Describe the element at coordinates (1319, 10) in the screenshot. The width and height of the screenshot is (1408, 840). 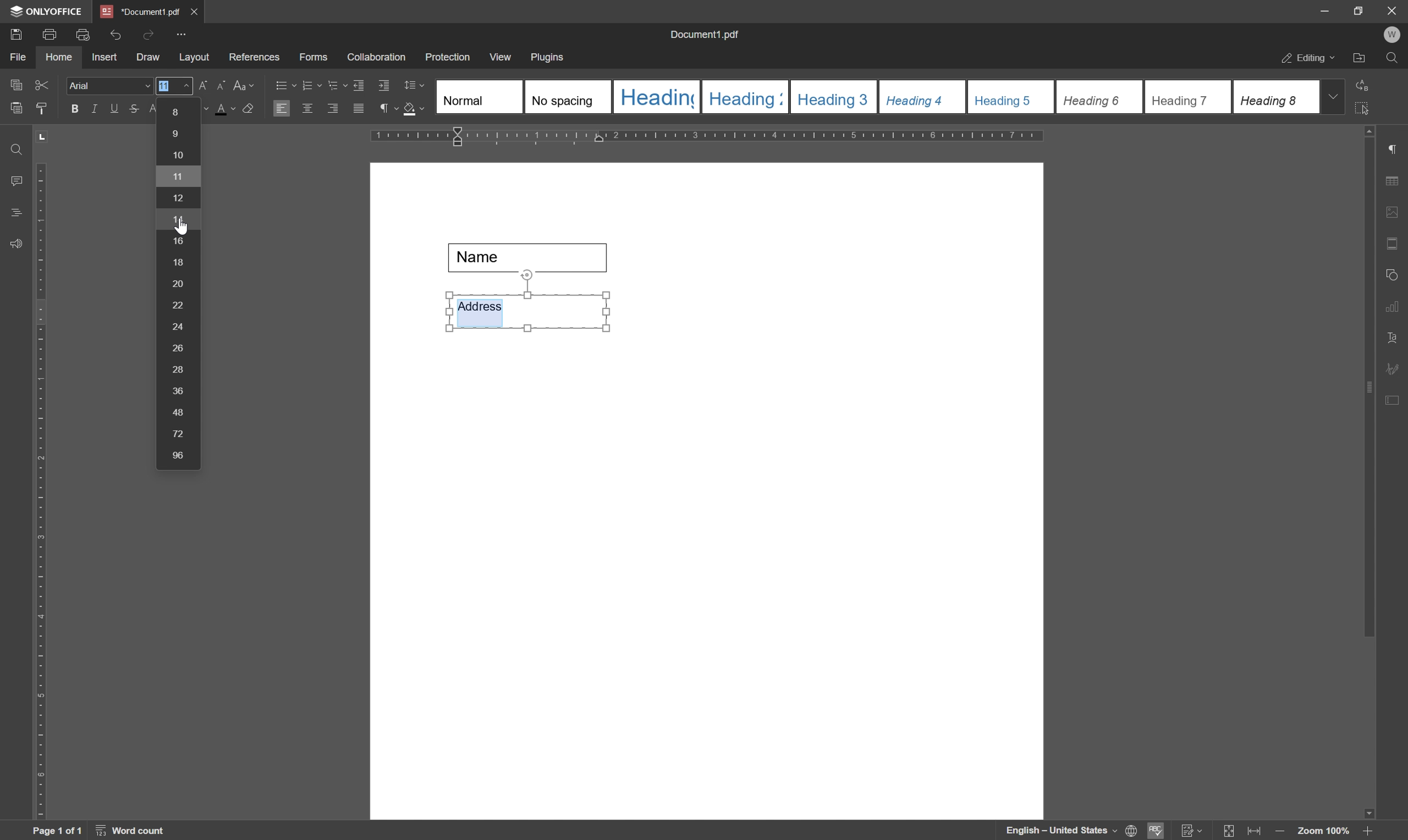
I see `minimize` at that location.